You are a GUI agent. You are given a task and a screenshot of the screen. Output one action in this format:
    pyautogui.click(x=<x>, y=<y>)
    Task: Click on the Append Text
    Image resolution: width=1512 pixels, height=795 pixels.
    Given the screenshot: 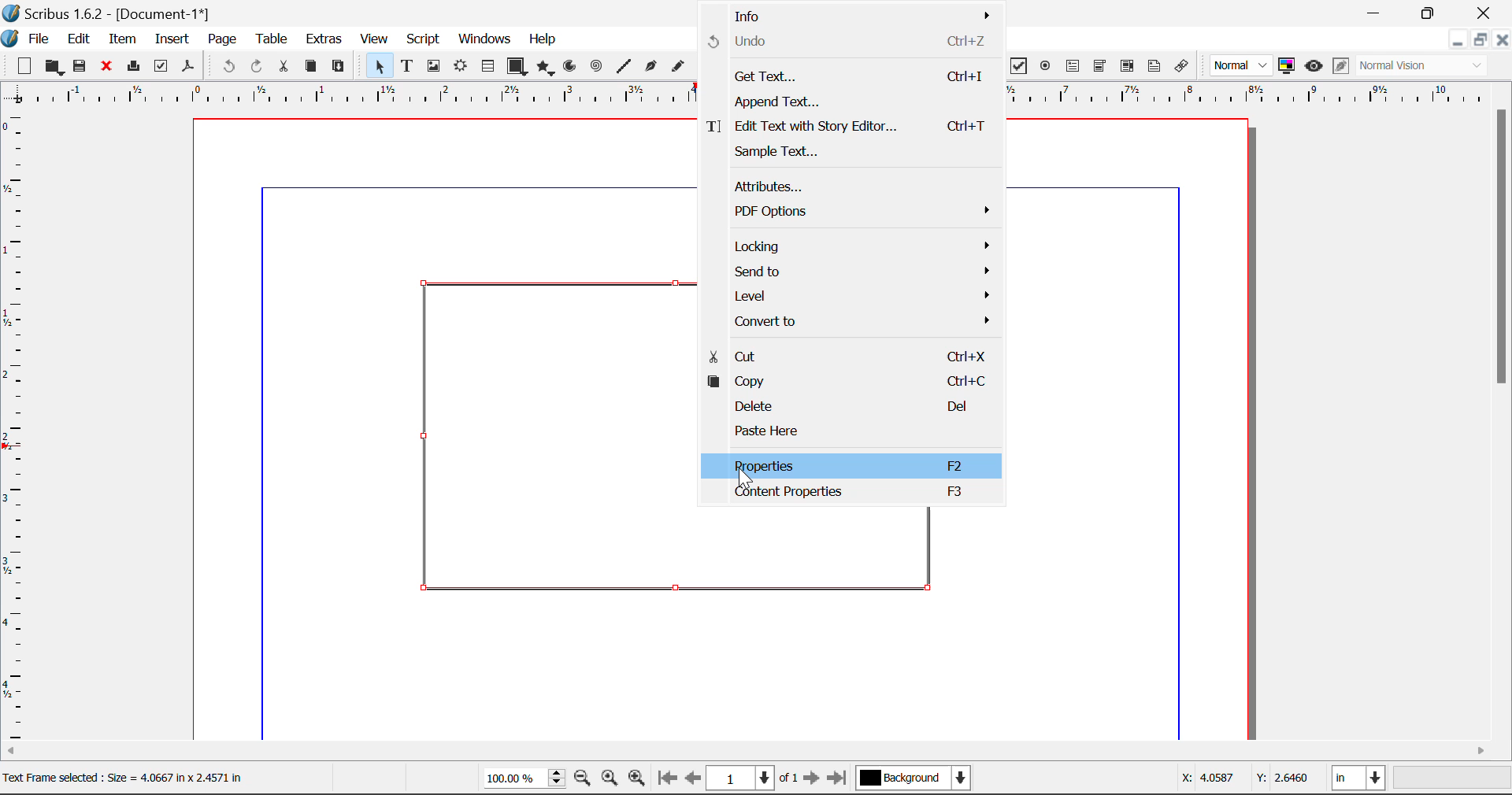 What is the action you would take?
    pyautogui.click(x=851, y=102)
    